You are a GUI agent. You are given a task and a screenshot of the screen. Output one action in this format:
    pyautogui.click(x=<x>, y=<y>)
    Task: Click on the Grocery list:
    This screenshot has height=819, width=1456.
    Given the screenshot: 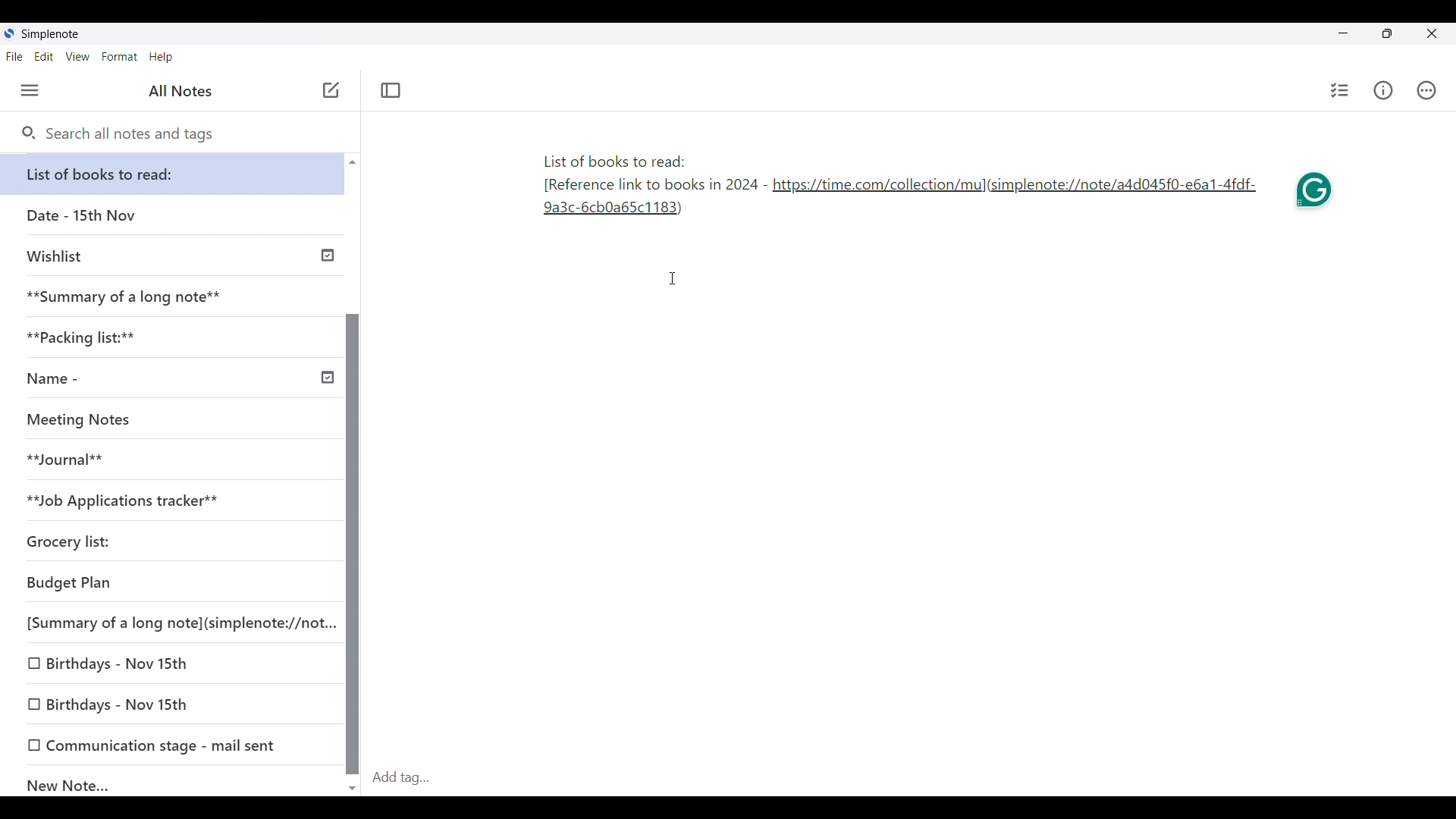 What is the action you would take?
    pyautogui.click(x=167, y=544)
    